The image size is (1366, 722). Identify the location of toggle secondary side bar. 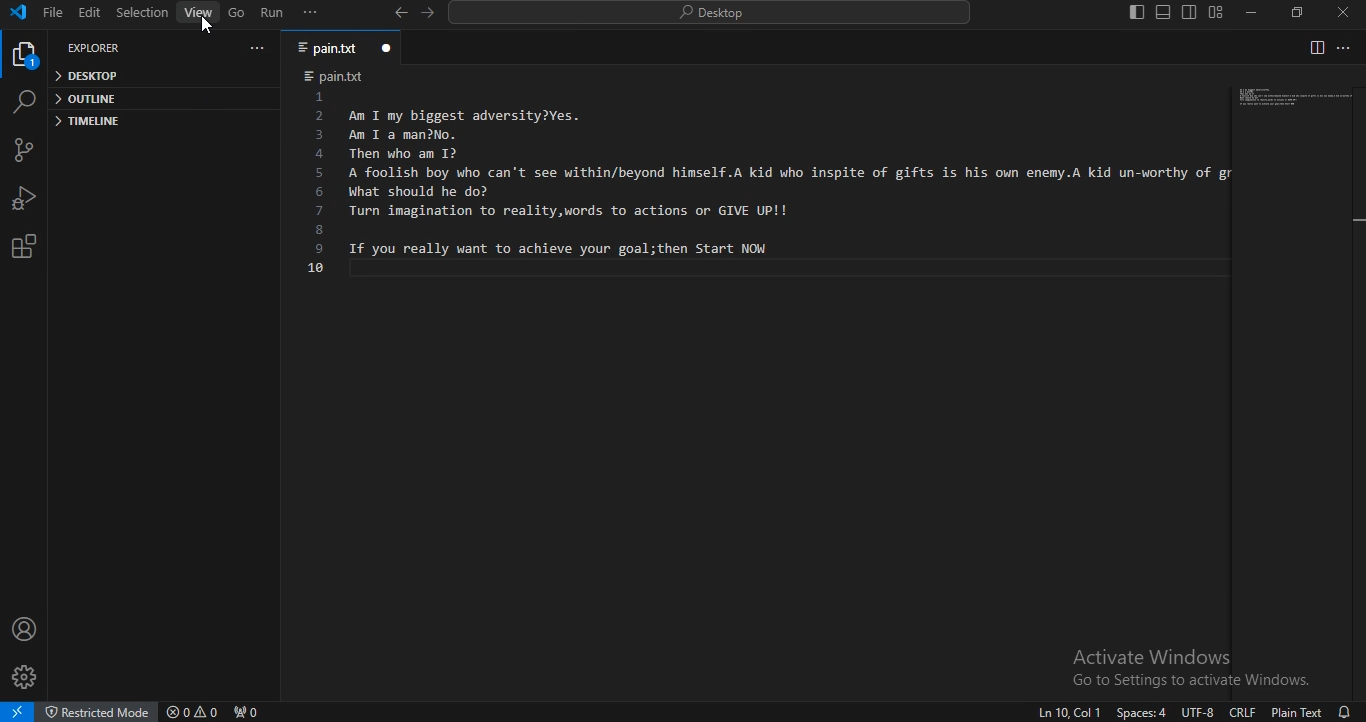
(1191, 13).